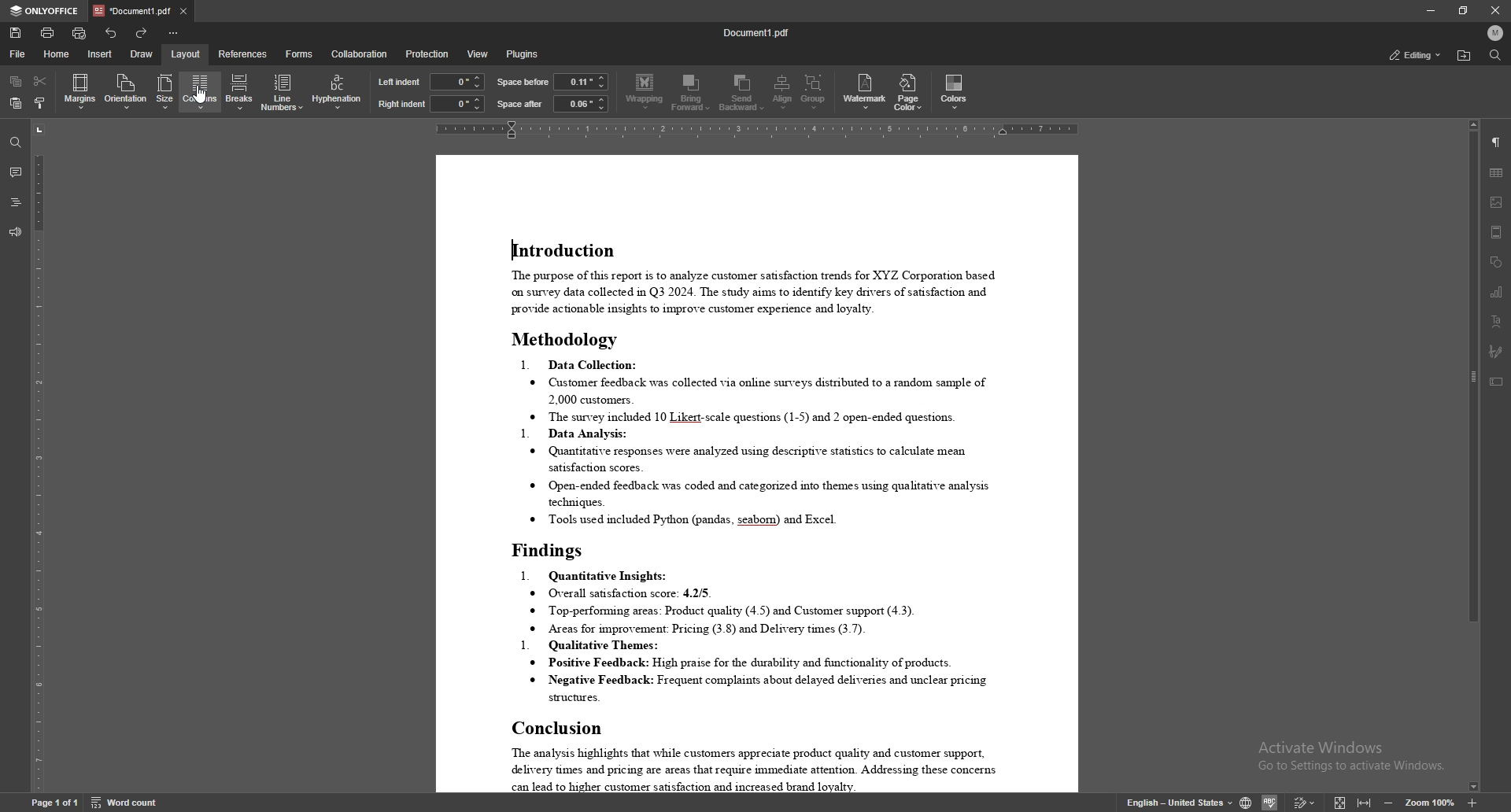 The image size is (1511, 812). Describe the element at coordinates (17, 103) in the screenshot. I see `paste` at that location.